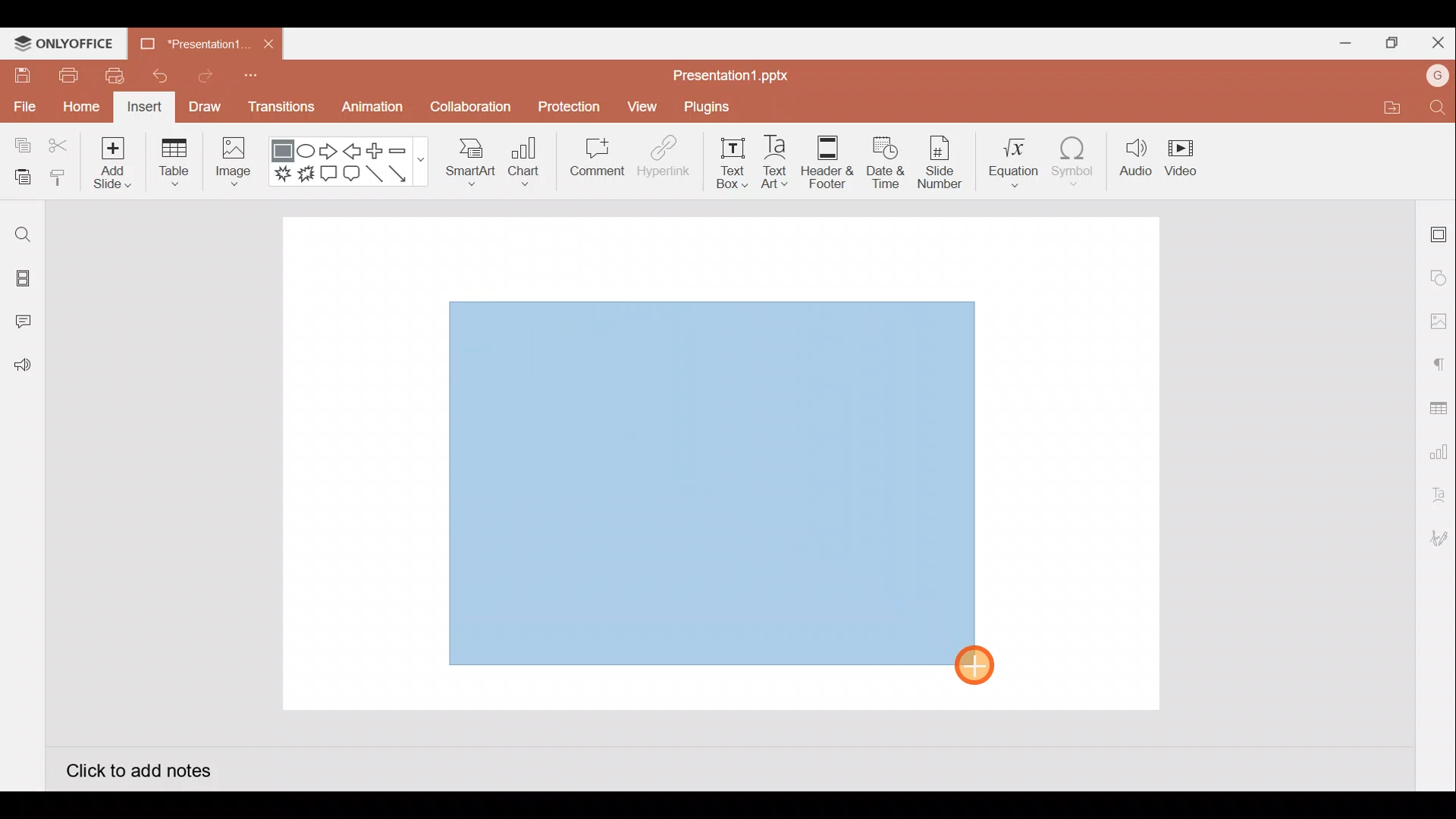 This screenshot has width=1456, height=819. I want to click on SmartArt, so click(469, 159).